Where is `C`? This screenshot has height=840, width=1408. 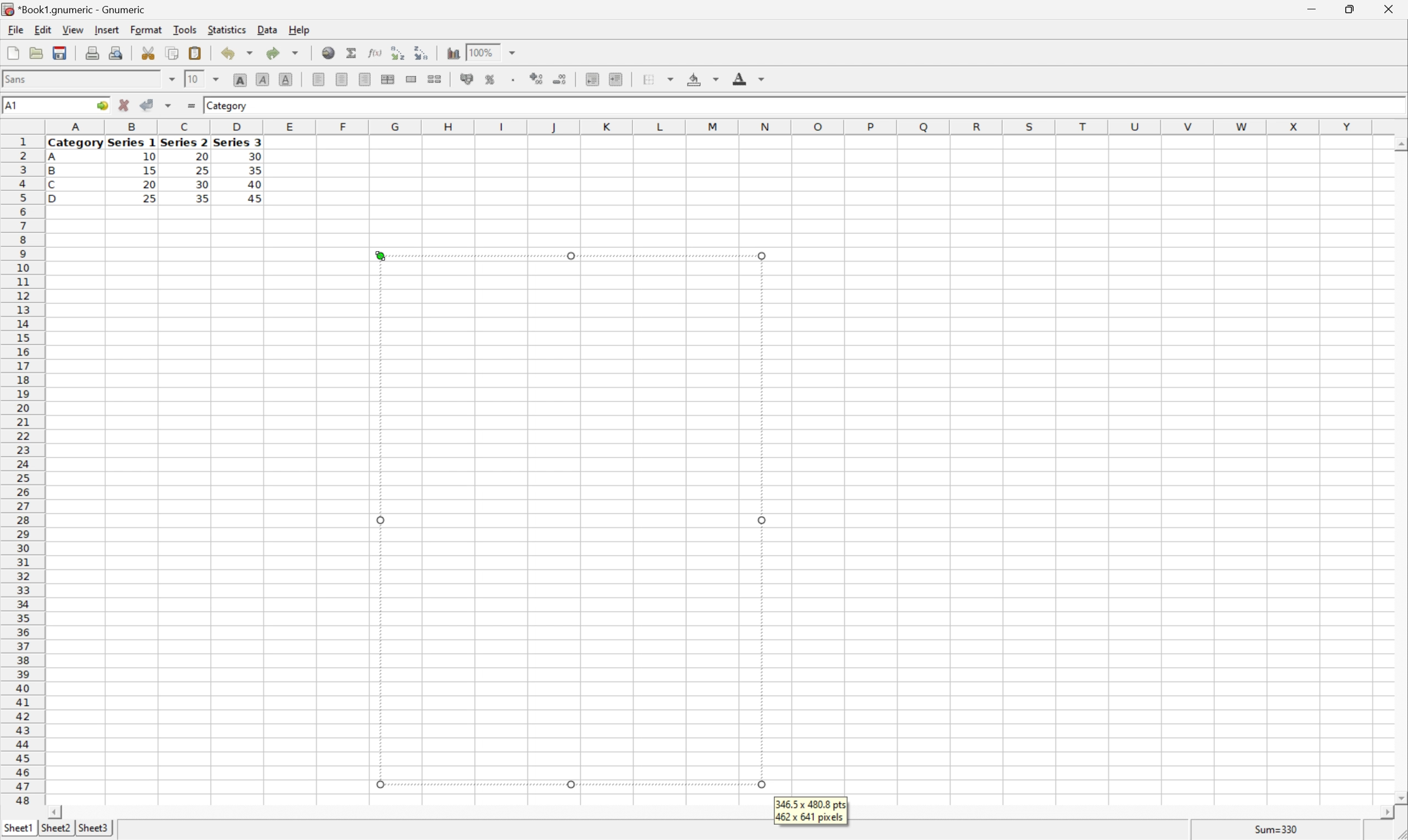
C is located at coordinates (52, 186).